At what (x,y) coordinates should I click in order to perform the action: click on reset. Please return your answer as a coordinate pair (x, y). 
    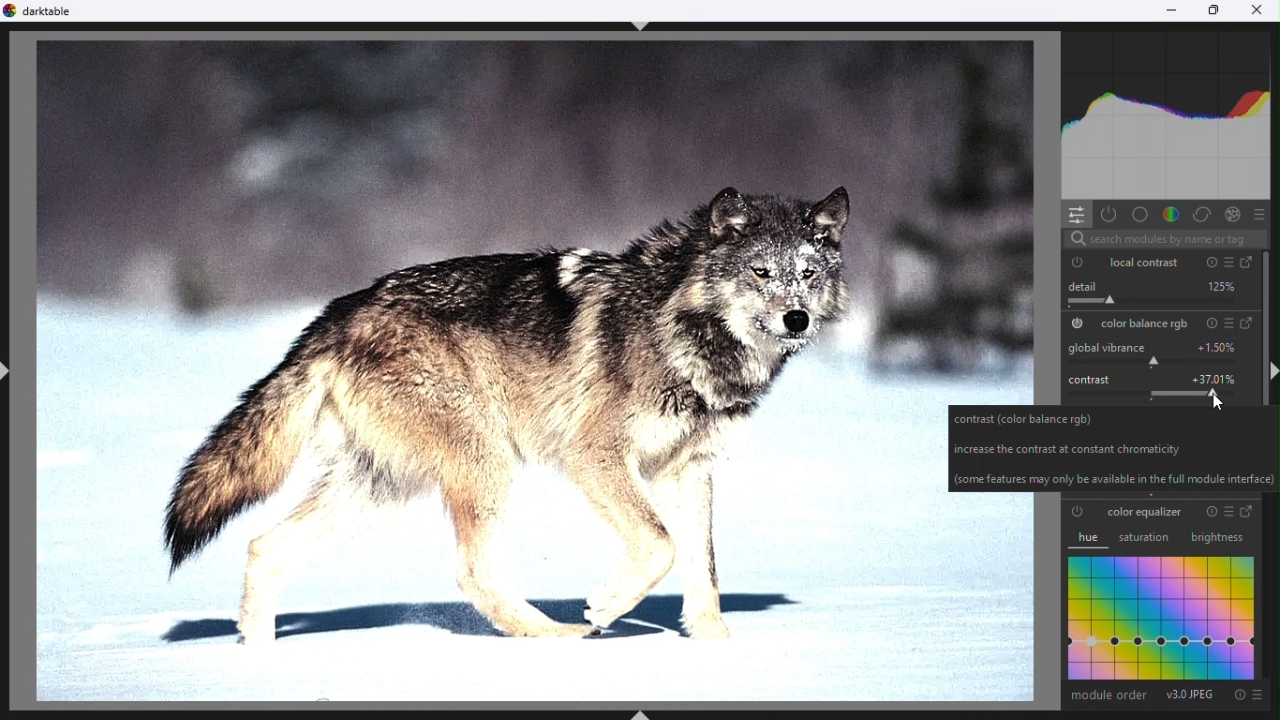
    Looking at the image, I should click on (1209, 323).